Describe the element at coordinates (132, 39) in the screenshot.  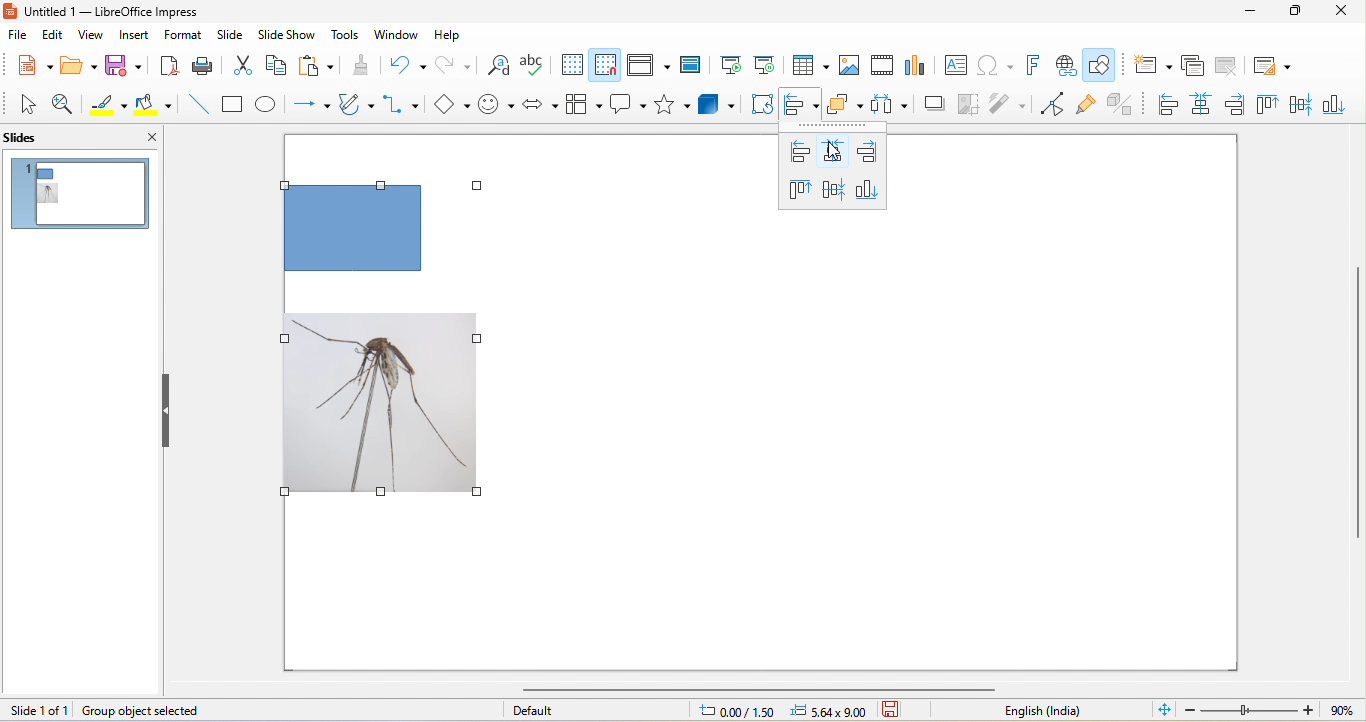
I see `insert` at that location.